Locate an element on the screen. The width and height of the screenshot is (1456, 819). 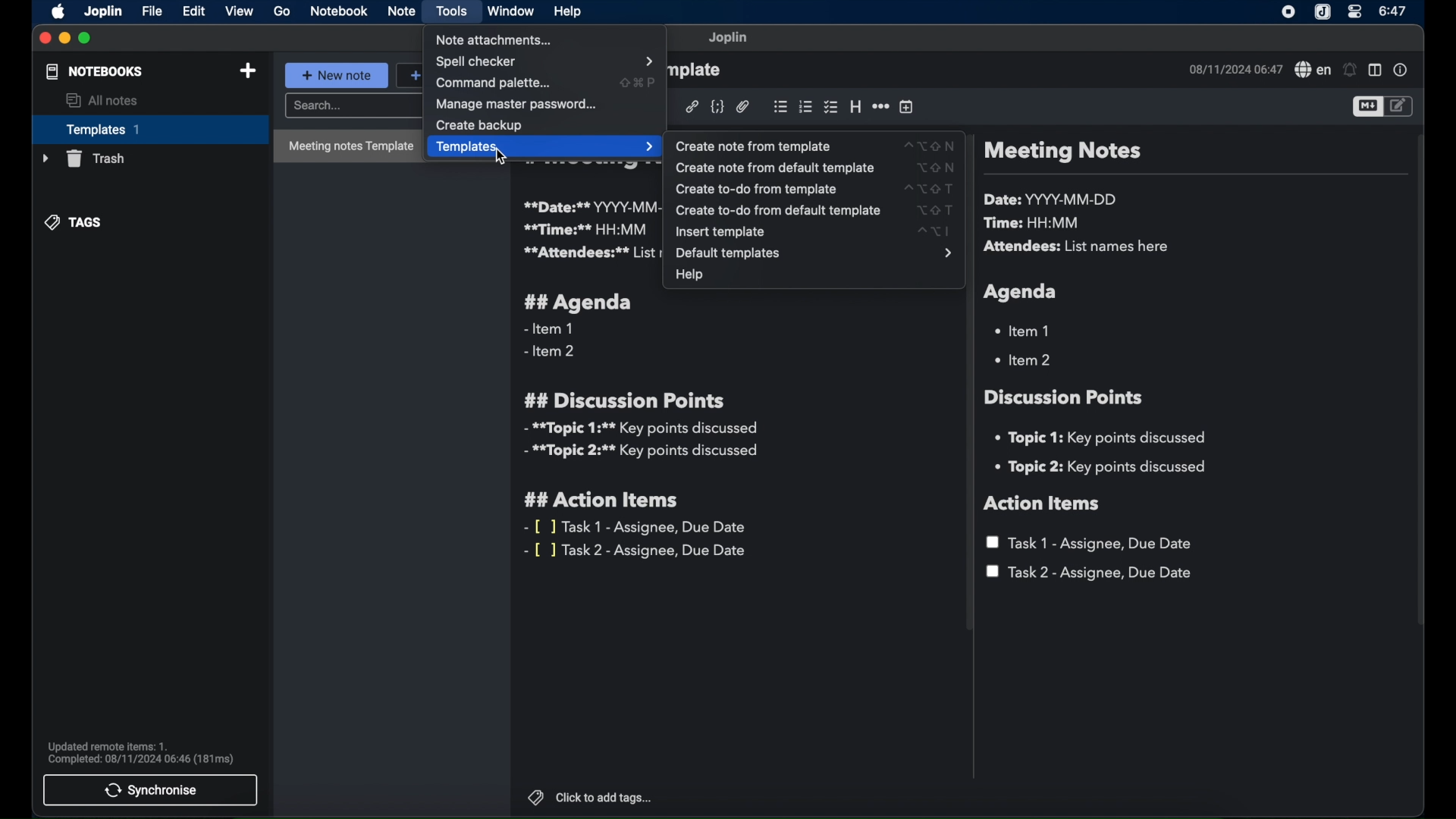
heading is located at coordinates (855, 108).